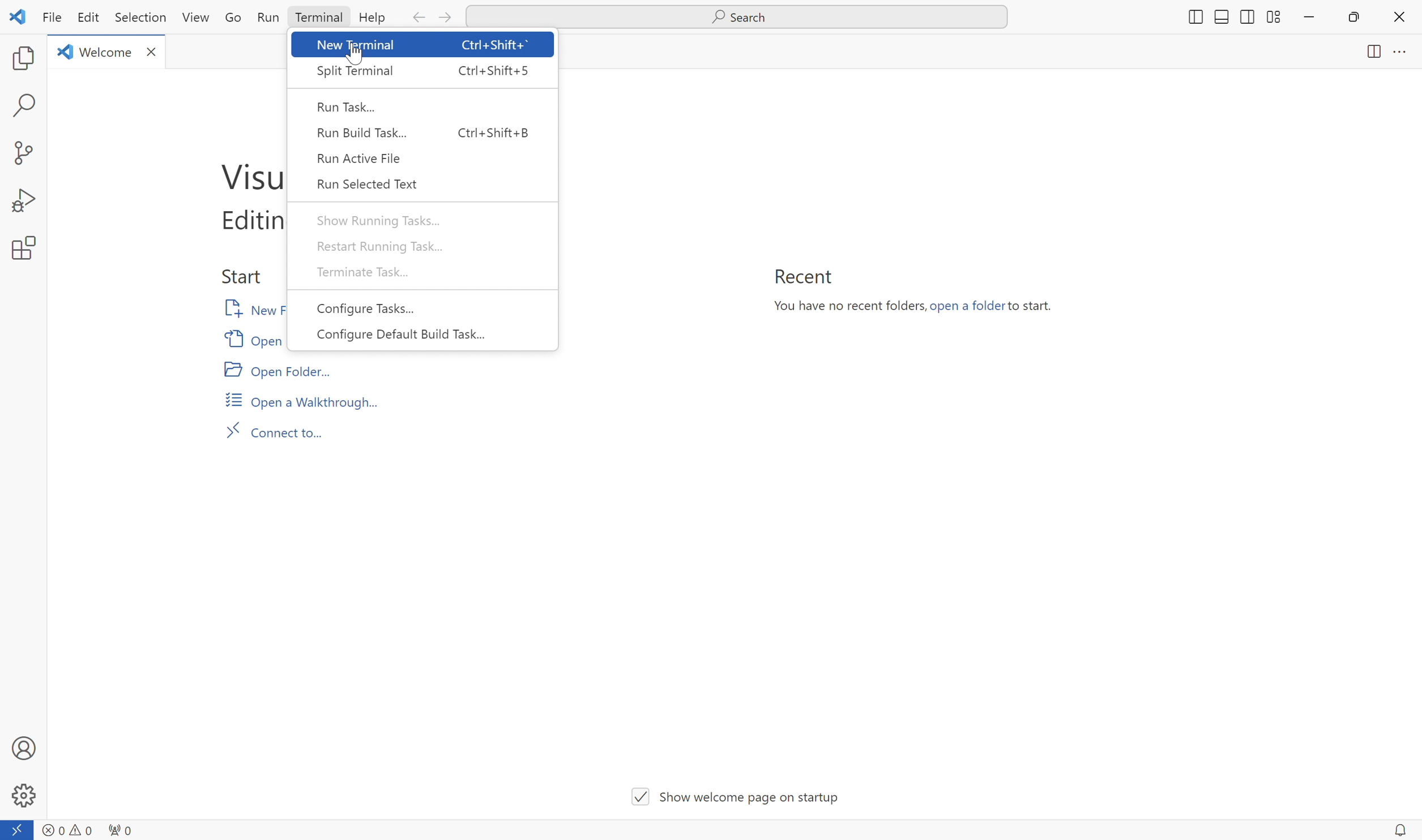  Describe the element at coordinates (1400, 53) in the screenshot. I see `more options` at that location.